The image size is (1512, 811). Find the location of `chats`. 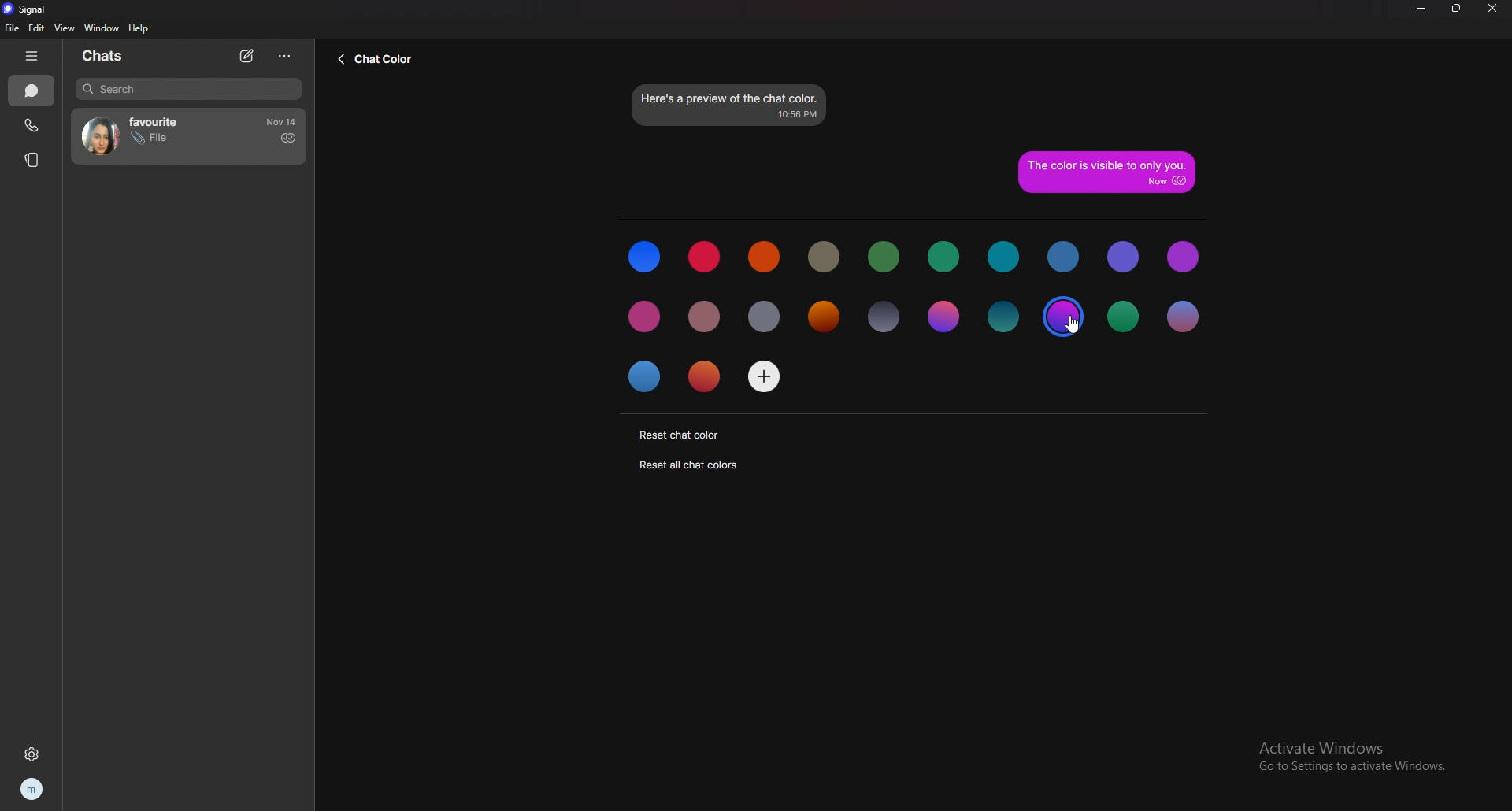

chats is located at coordinates (31, 91).